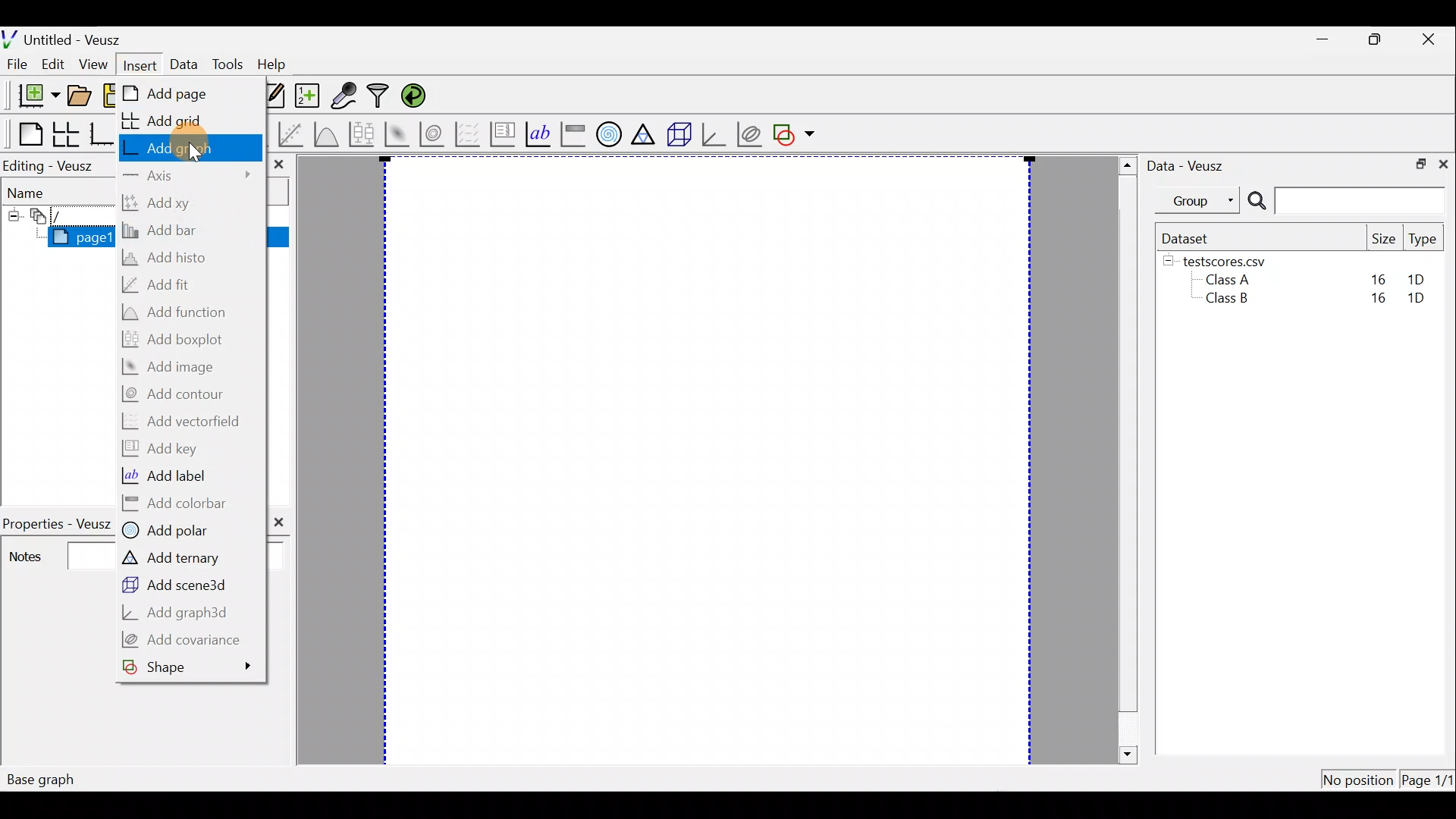  What do you see at coordinates (42, 779) in the screenshot?
I see `Base graph` at bounding box center [42, 779].